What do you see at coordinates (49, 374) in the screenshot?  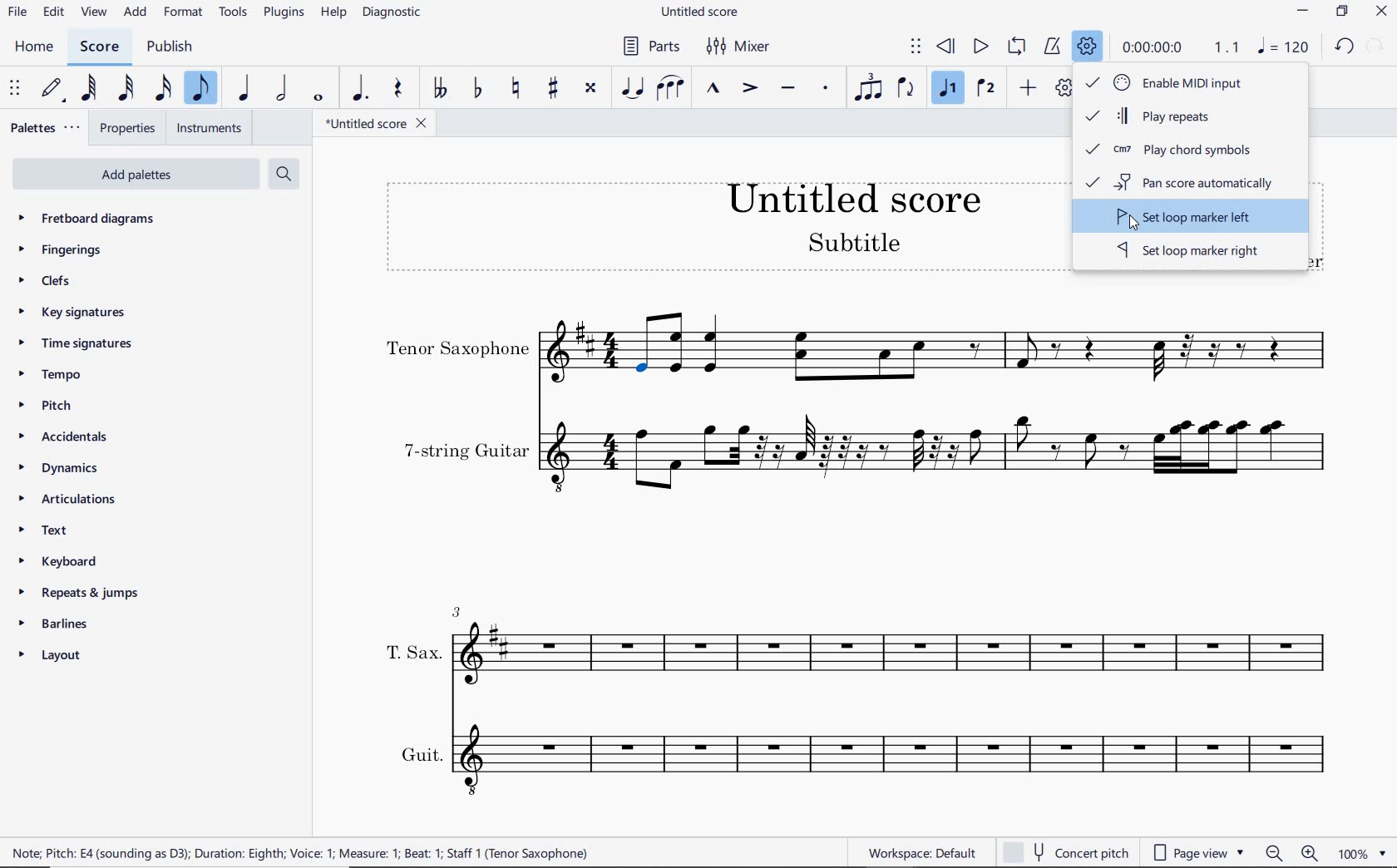 I see `TEMPO` at bounding box center [49, 374].